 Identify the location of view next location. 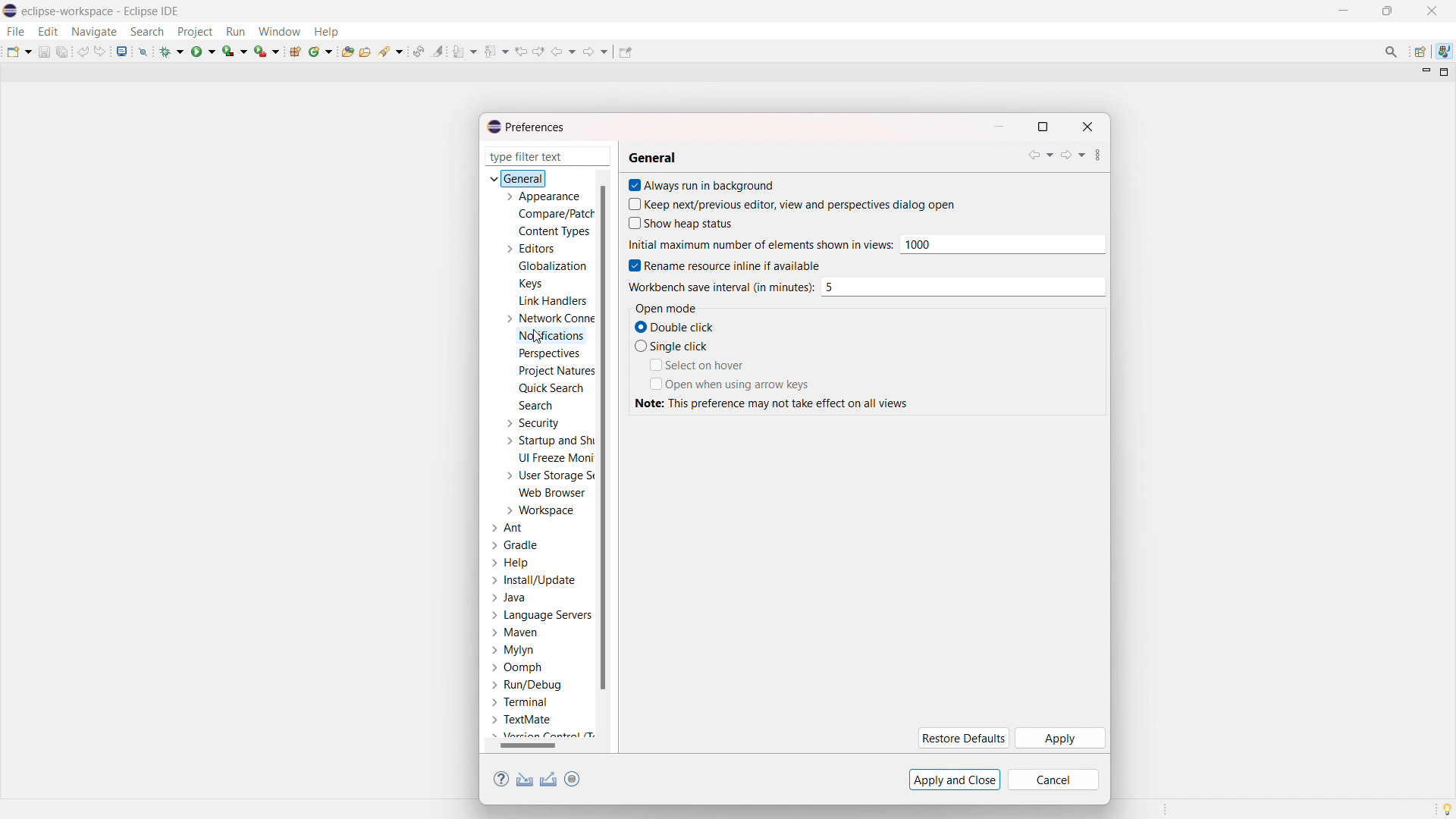
(538, 50).